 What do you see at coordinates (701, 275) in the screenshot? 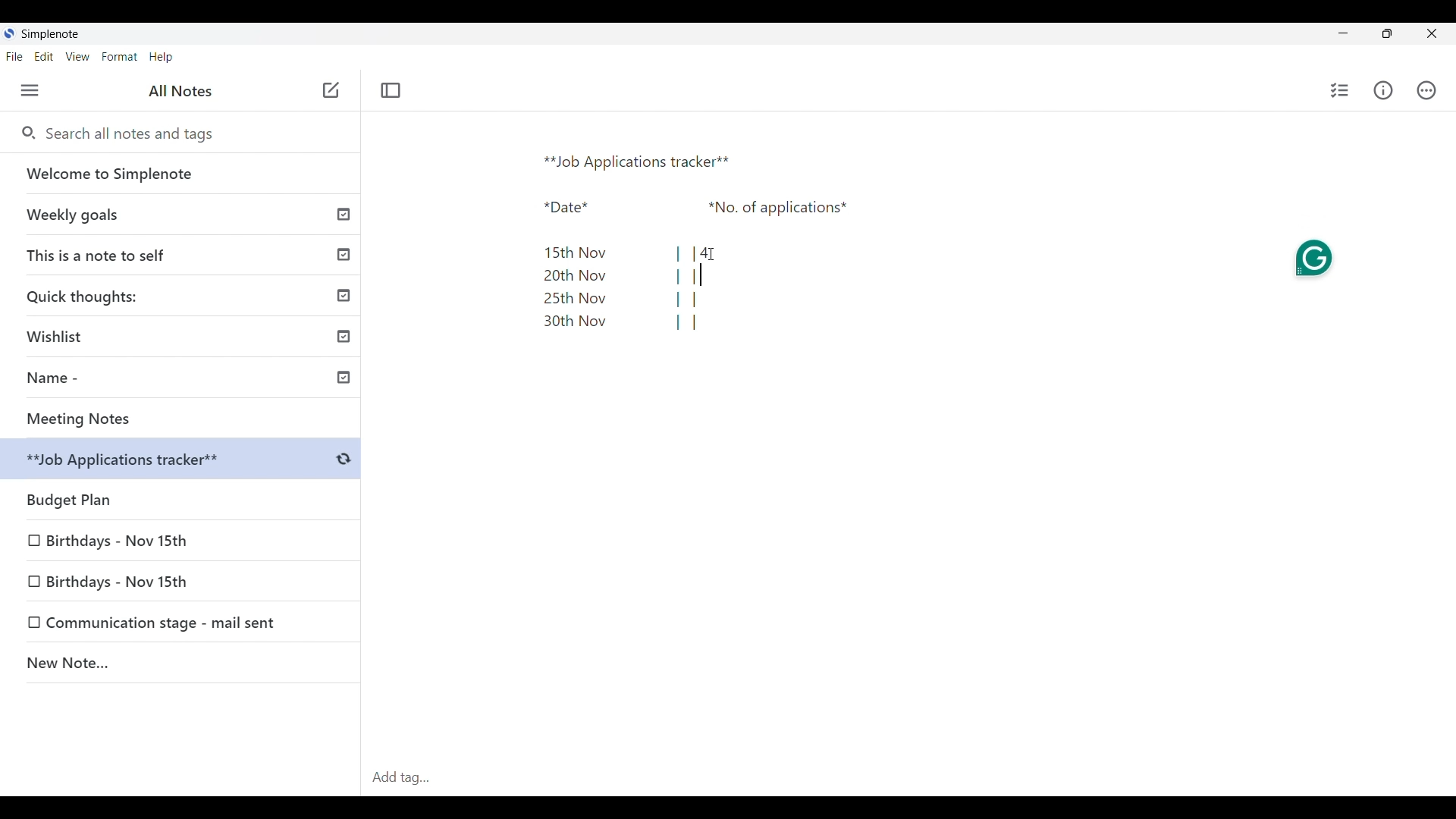
I see `Text cursor` at bounding box center [701, 275].